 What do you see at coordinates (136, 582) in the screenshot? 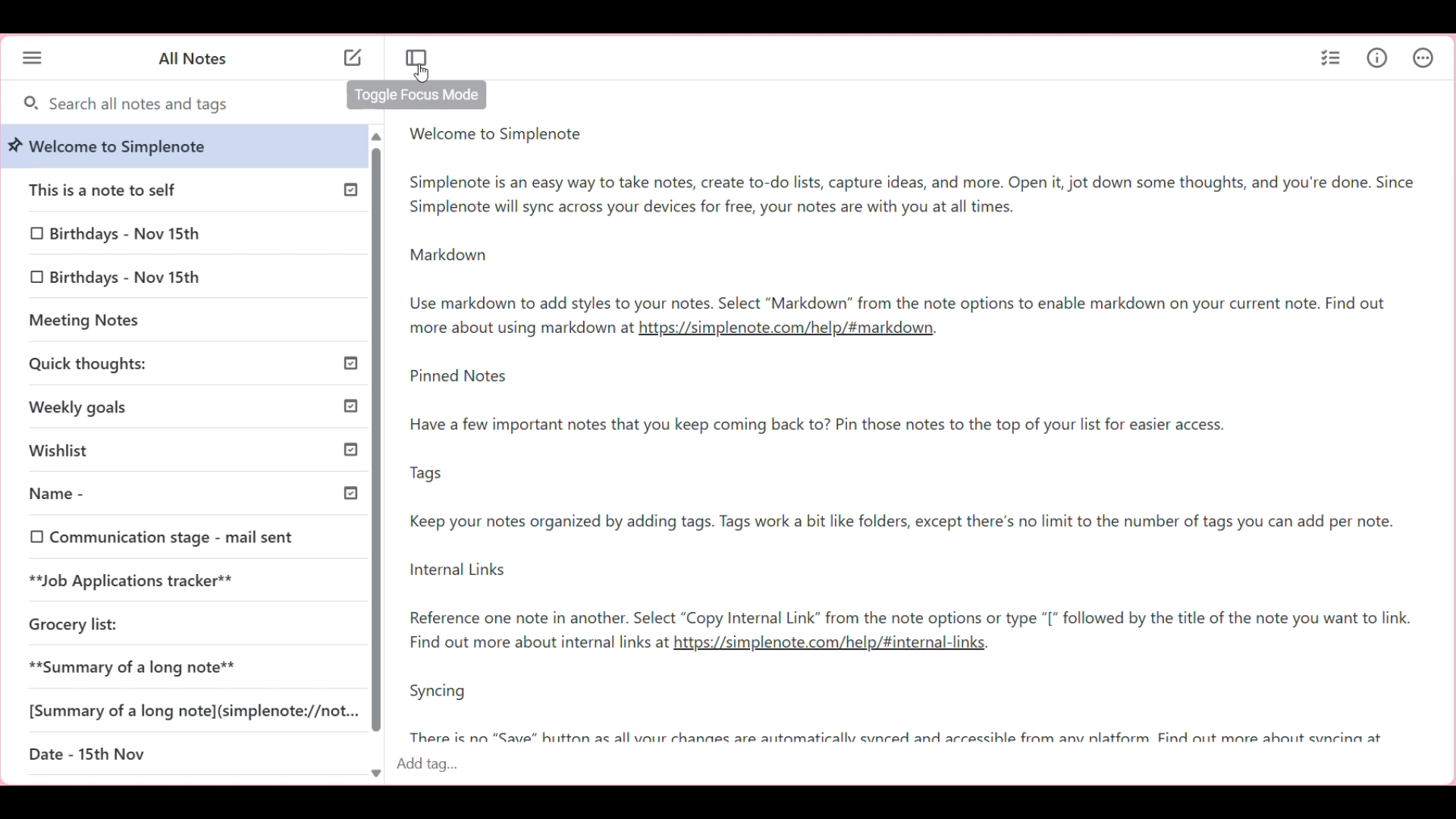
I see `**Job Applications tracker**` at bounding box center [136, 582].